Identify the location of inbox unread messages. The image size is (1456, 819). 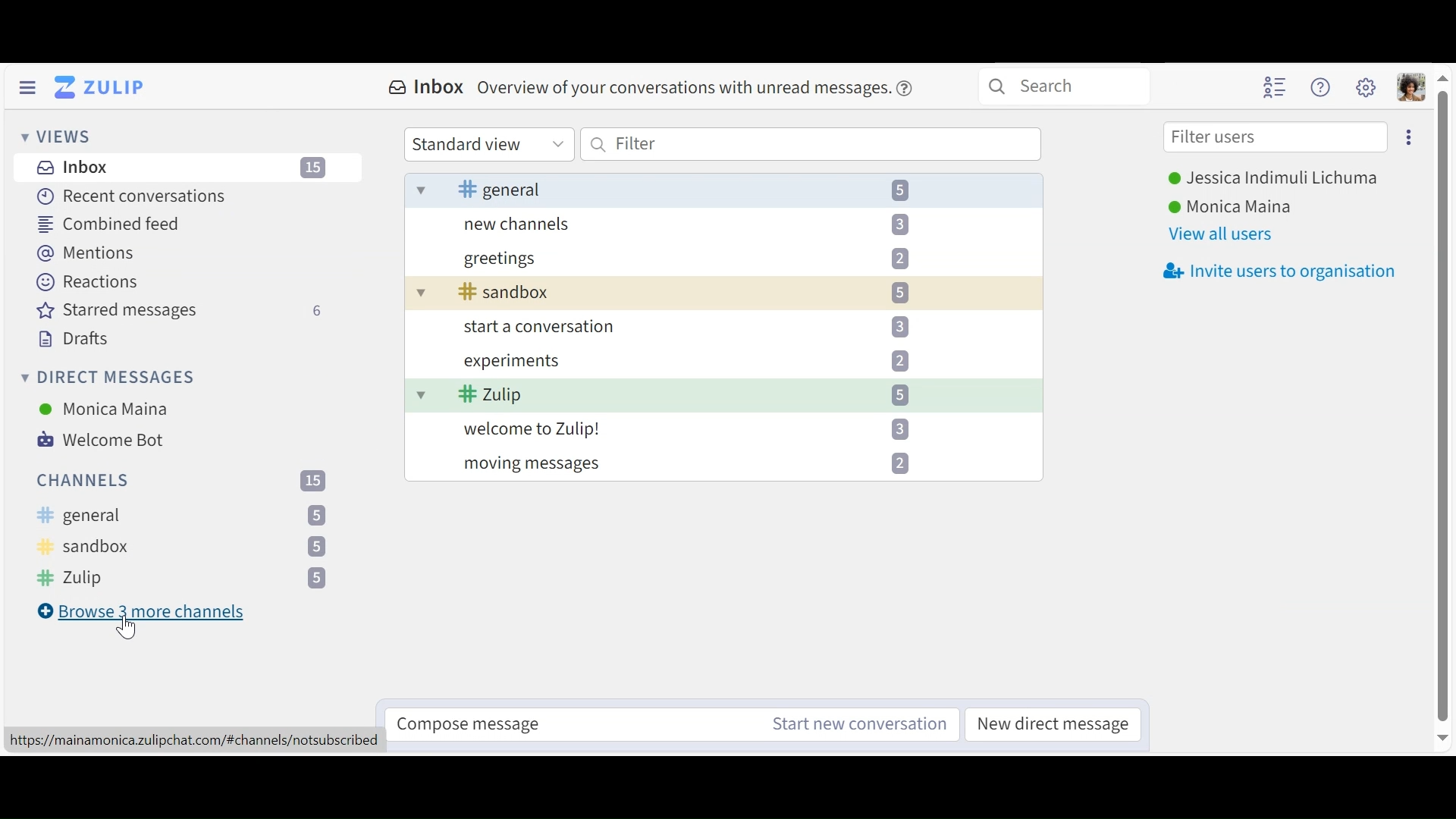
(734, 226).